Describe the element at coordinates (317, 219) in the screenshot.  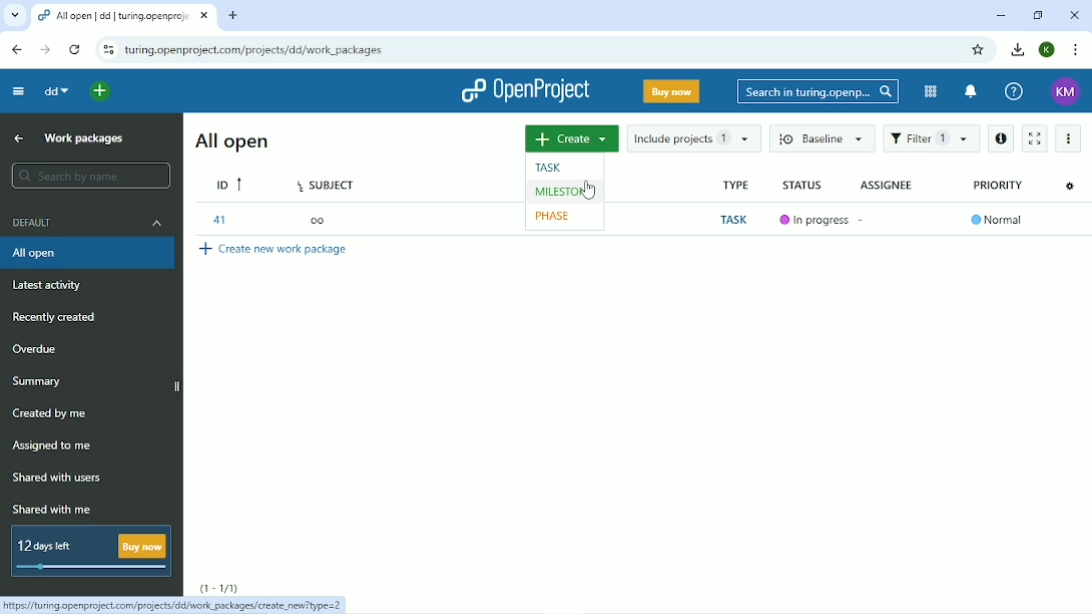
I see `oo` at that location.